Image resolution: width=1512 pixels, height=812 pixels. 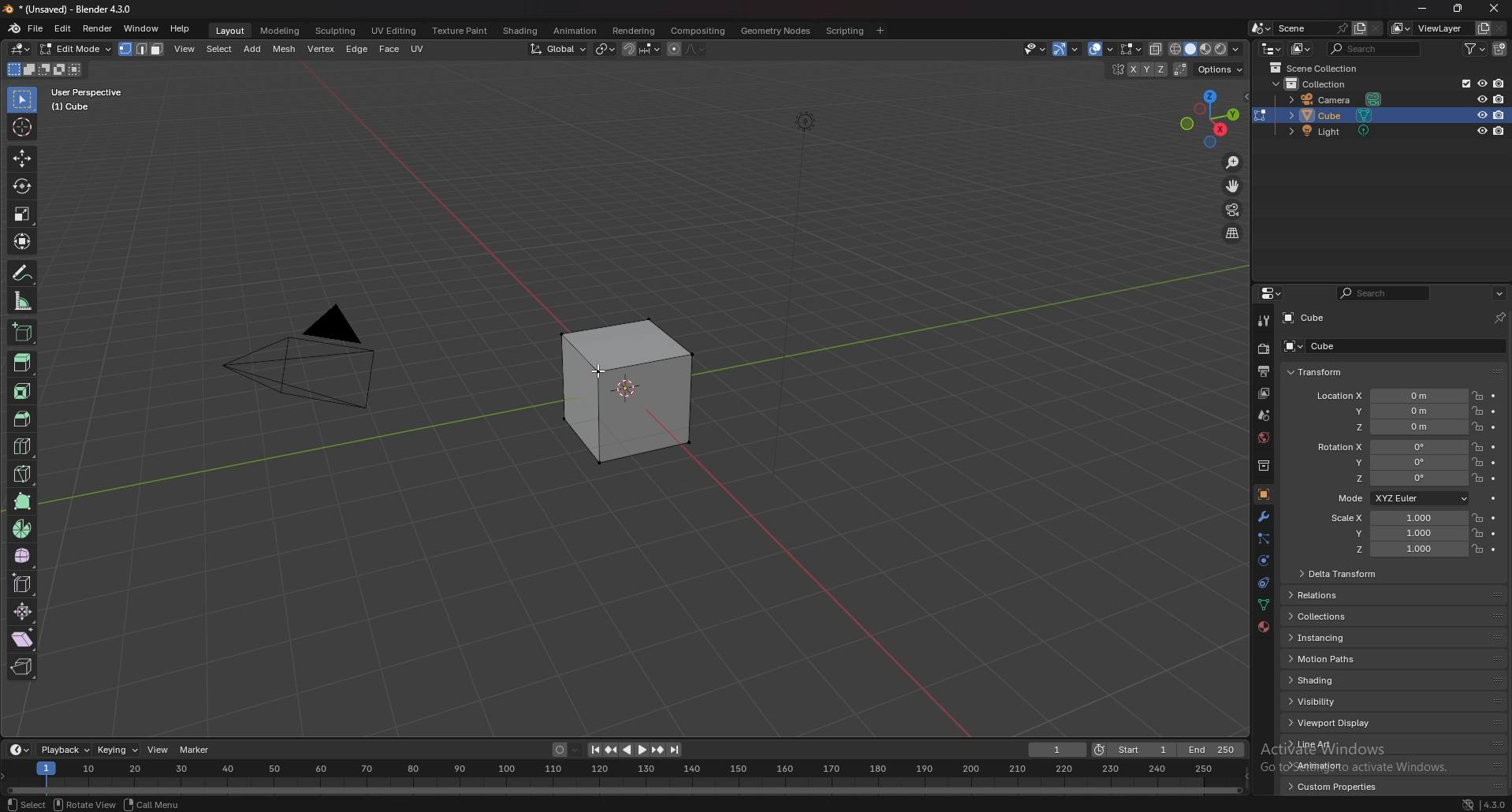 What do you see at coordinates (151, 804) in the screenshot?
I see `call menu` at bounding box center [151, 804].